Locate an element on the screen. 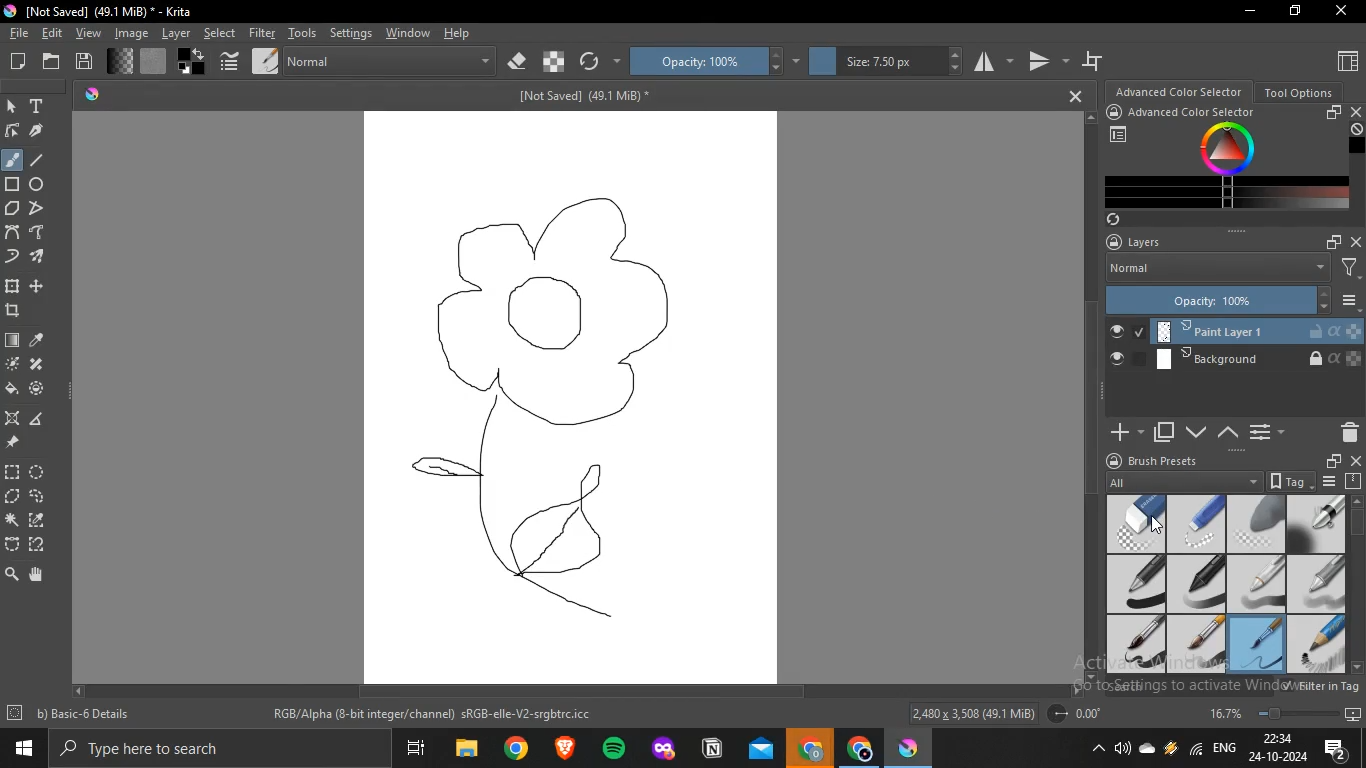 The width and height of the screenshot is (1366, 768). Application is located at coordinates (516, 749).